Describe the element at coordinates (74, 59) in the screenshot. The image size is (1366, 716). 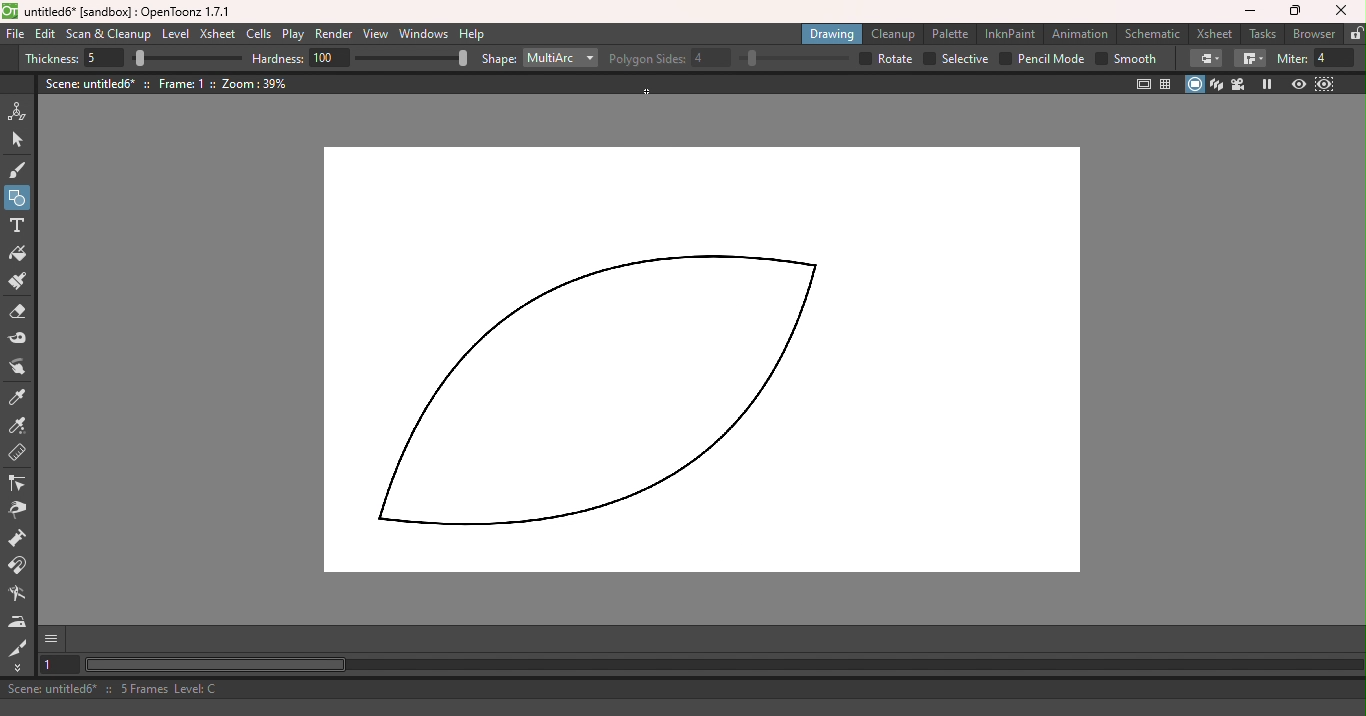
I see `Thickness` at that location.